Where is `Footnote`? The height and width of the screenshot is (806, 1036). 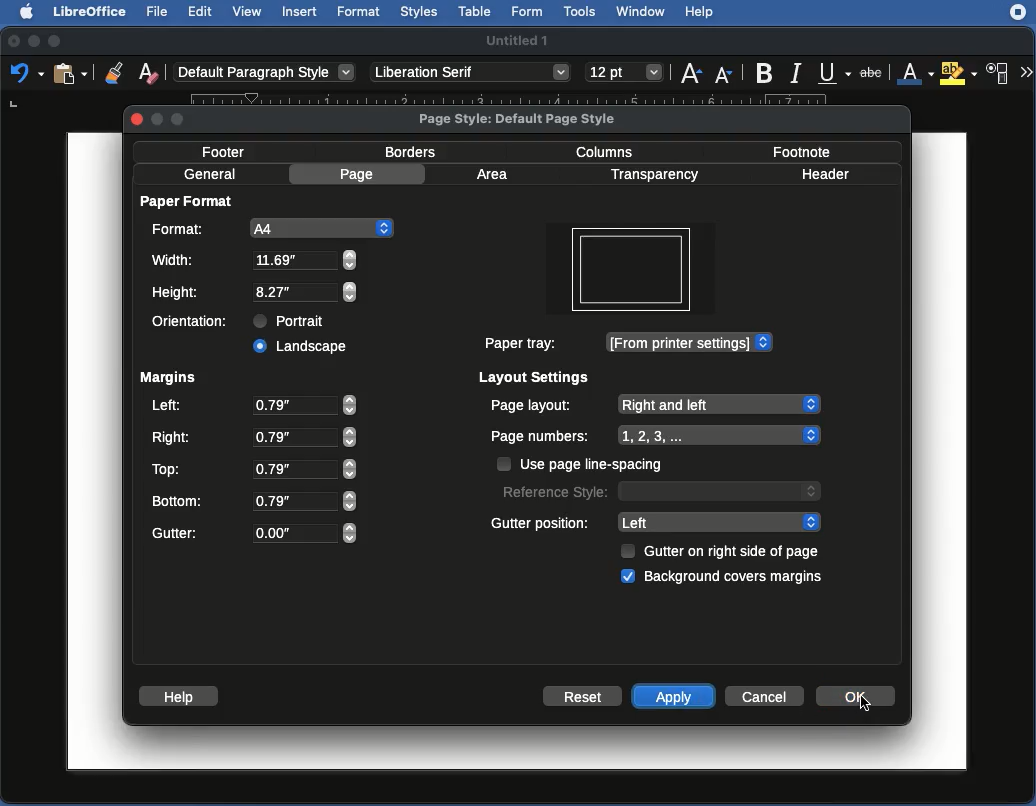
Footnote is located at coordinates (802, 150).